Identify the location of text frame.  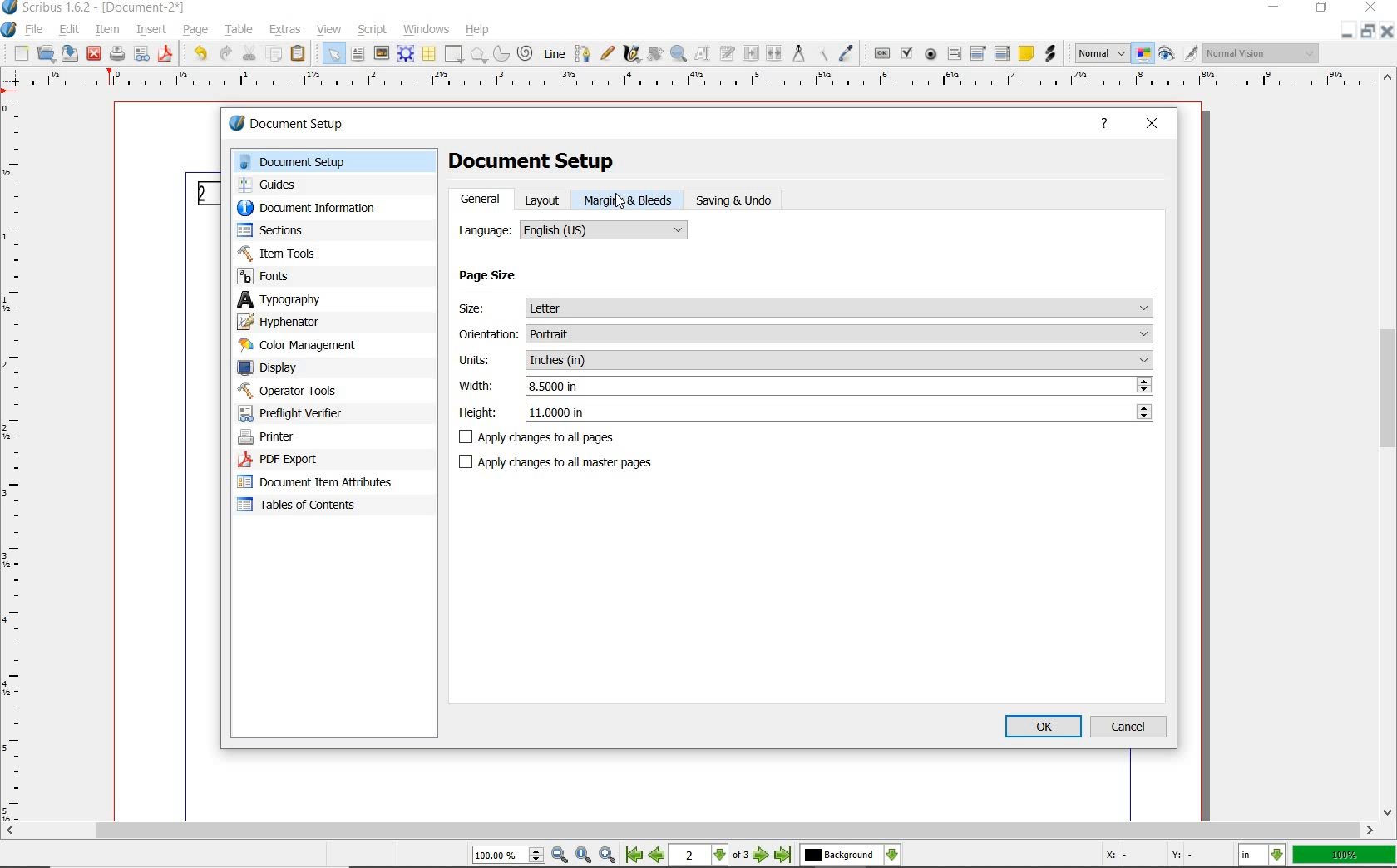
(358, 55).